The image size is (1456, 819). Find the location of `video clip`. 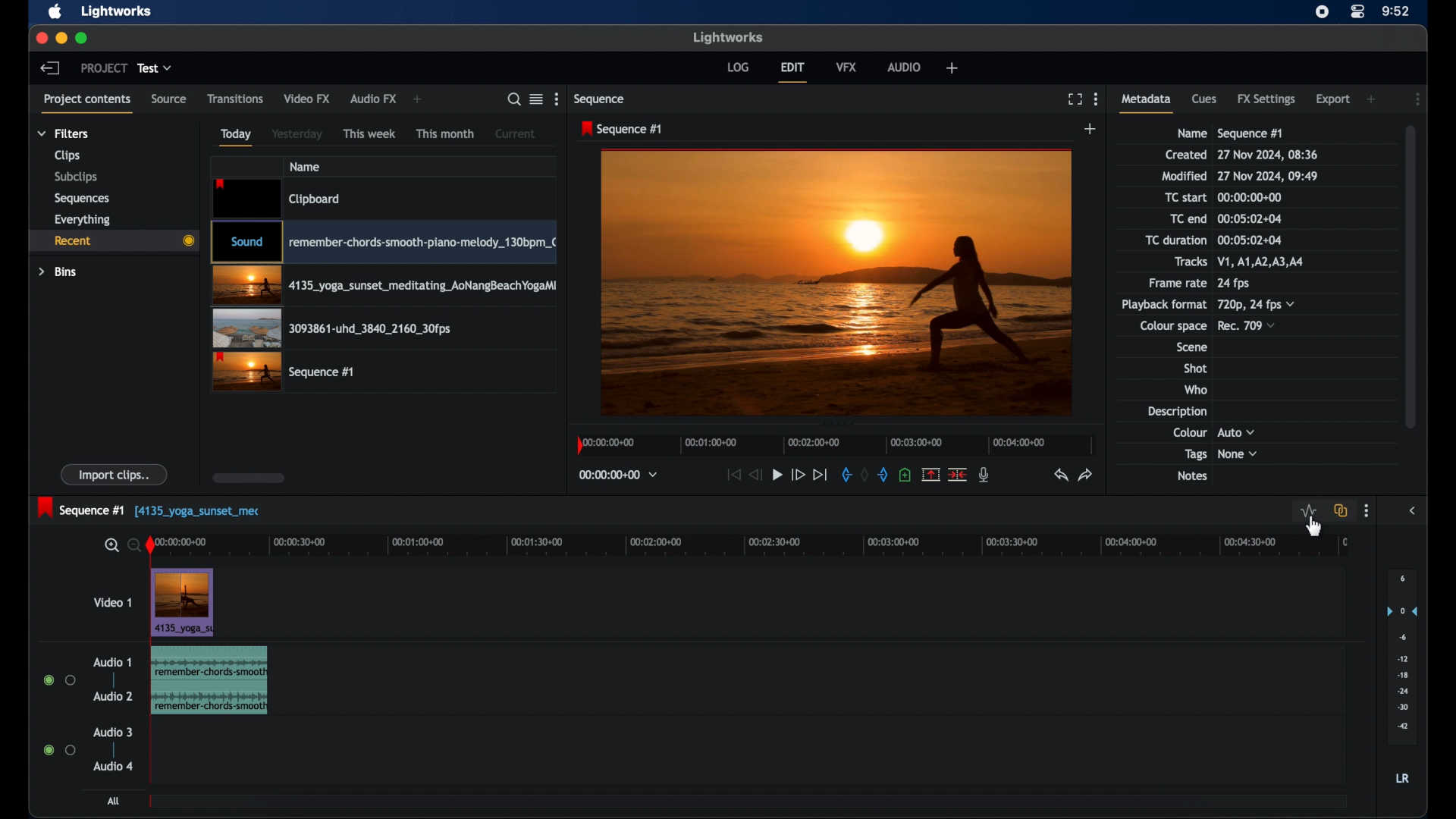

video clip is located at coordinates (278, 198).